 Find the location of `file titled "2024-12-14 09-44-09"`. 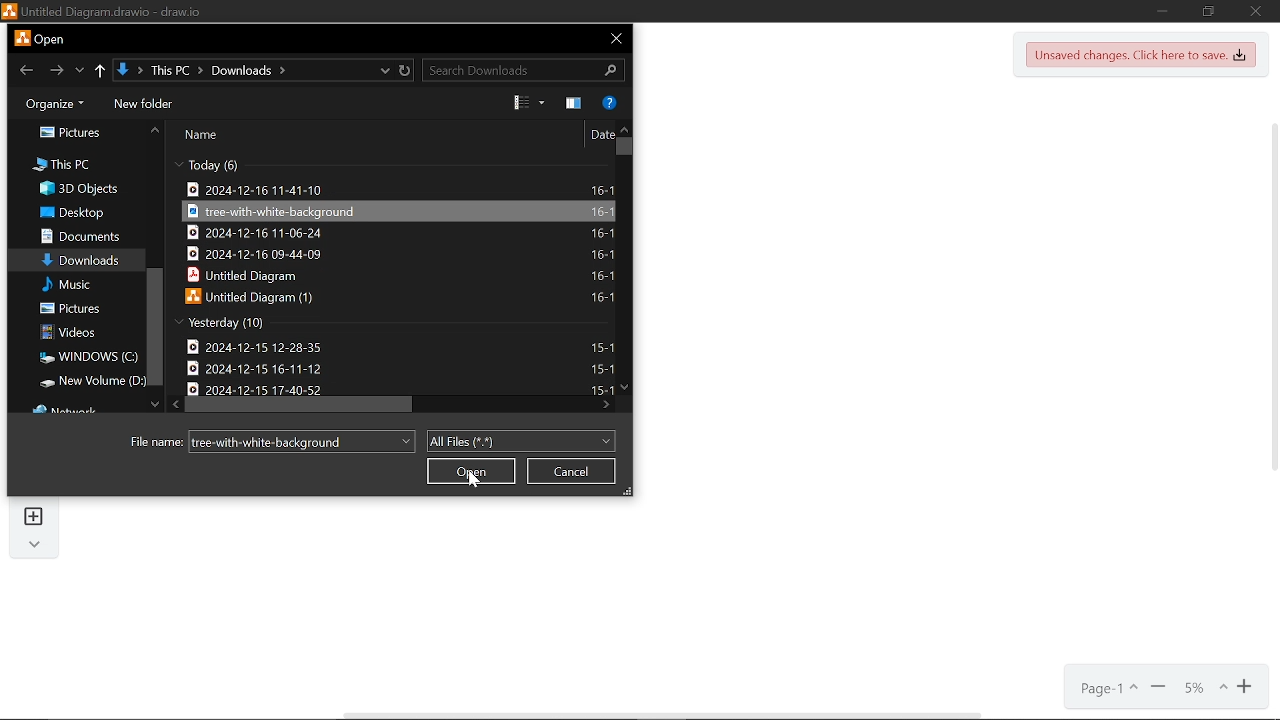

file titled "2024-12-14 09-44-09" is located at coordinates (400, 253).